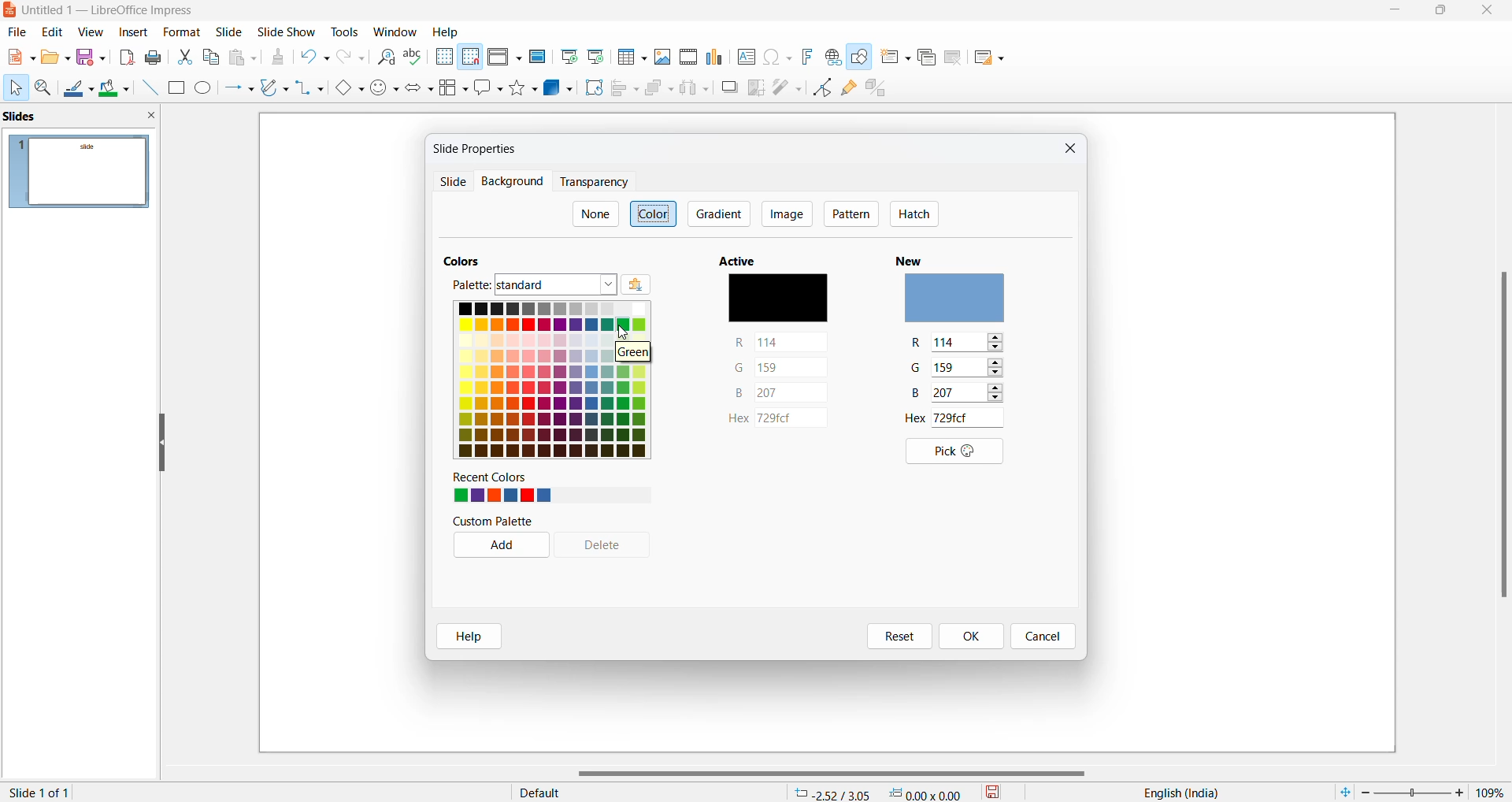 The height and width of the screenshot is (802, 1512). I want to click on current color preview, so click(777, 300).